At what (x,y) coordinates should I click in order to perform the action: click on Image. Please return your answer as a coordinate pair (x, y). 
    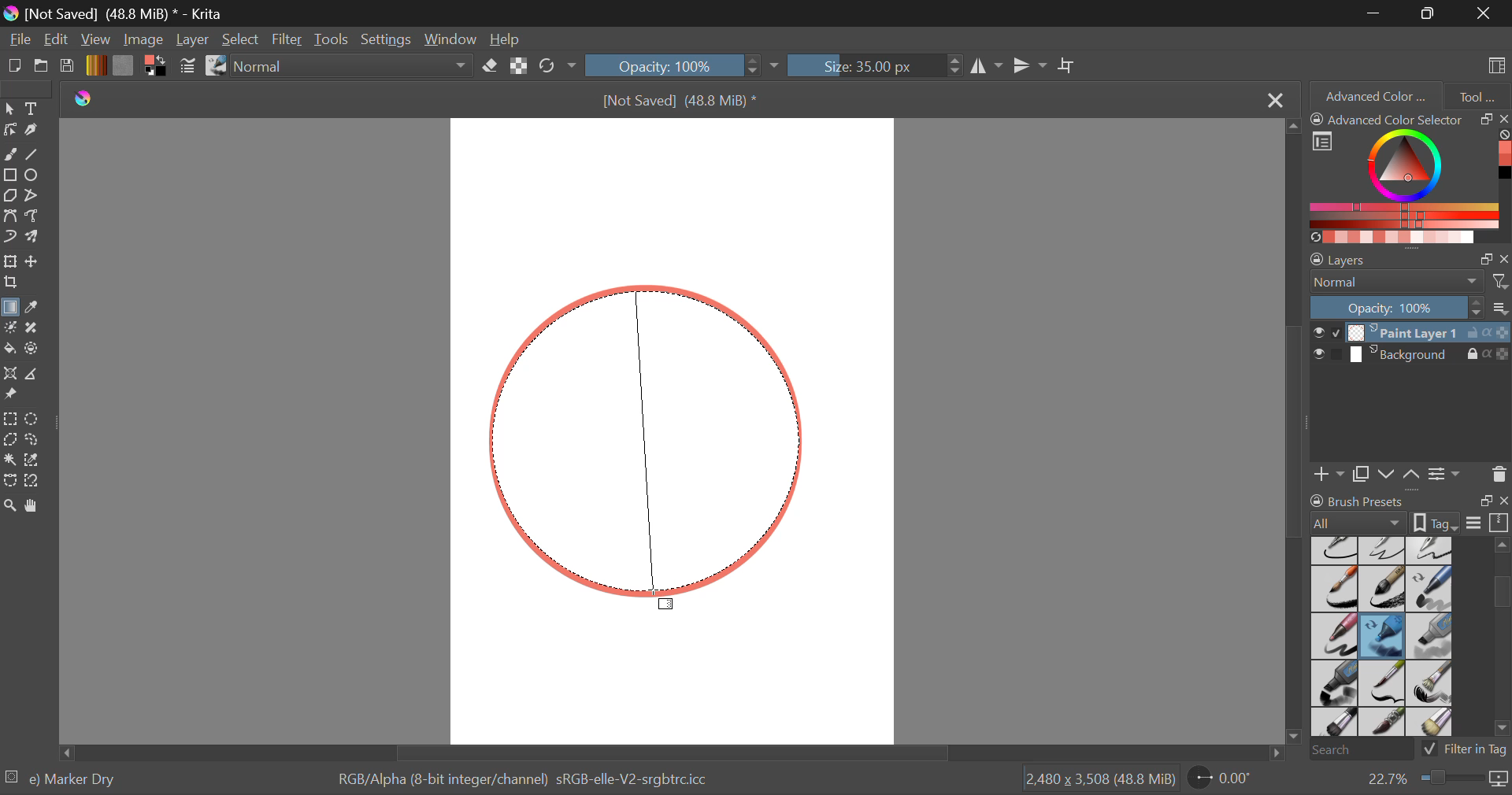
    Looking at the image, I should click on (145, 39).